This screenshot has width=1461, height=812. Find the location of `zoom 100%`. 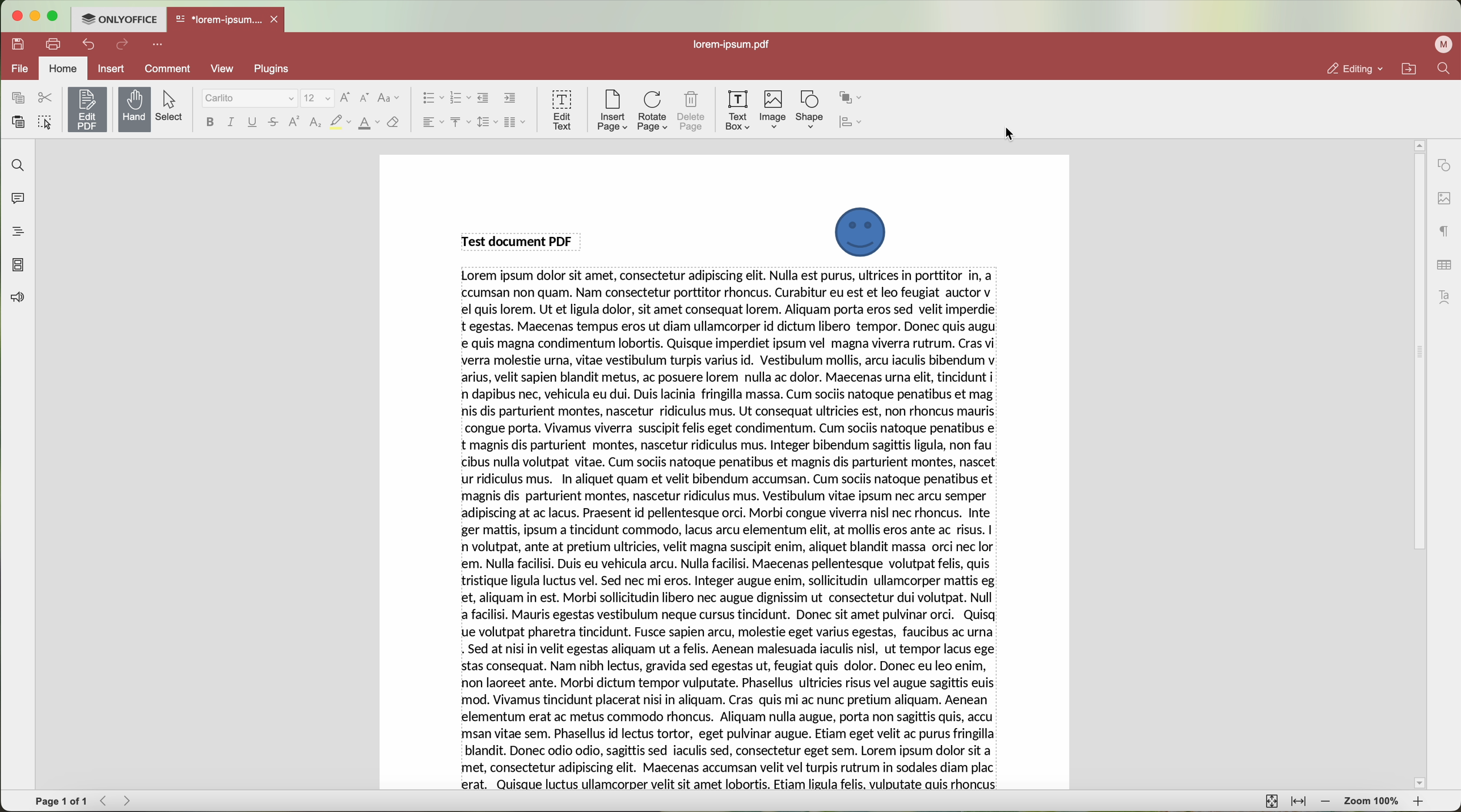

zoom 100% is located at coordinates (1371, 802).